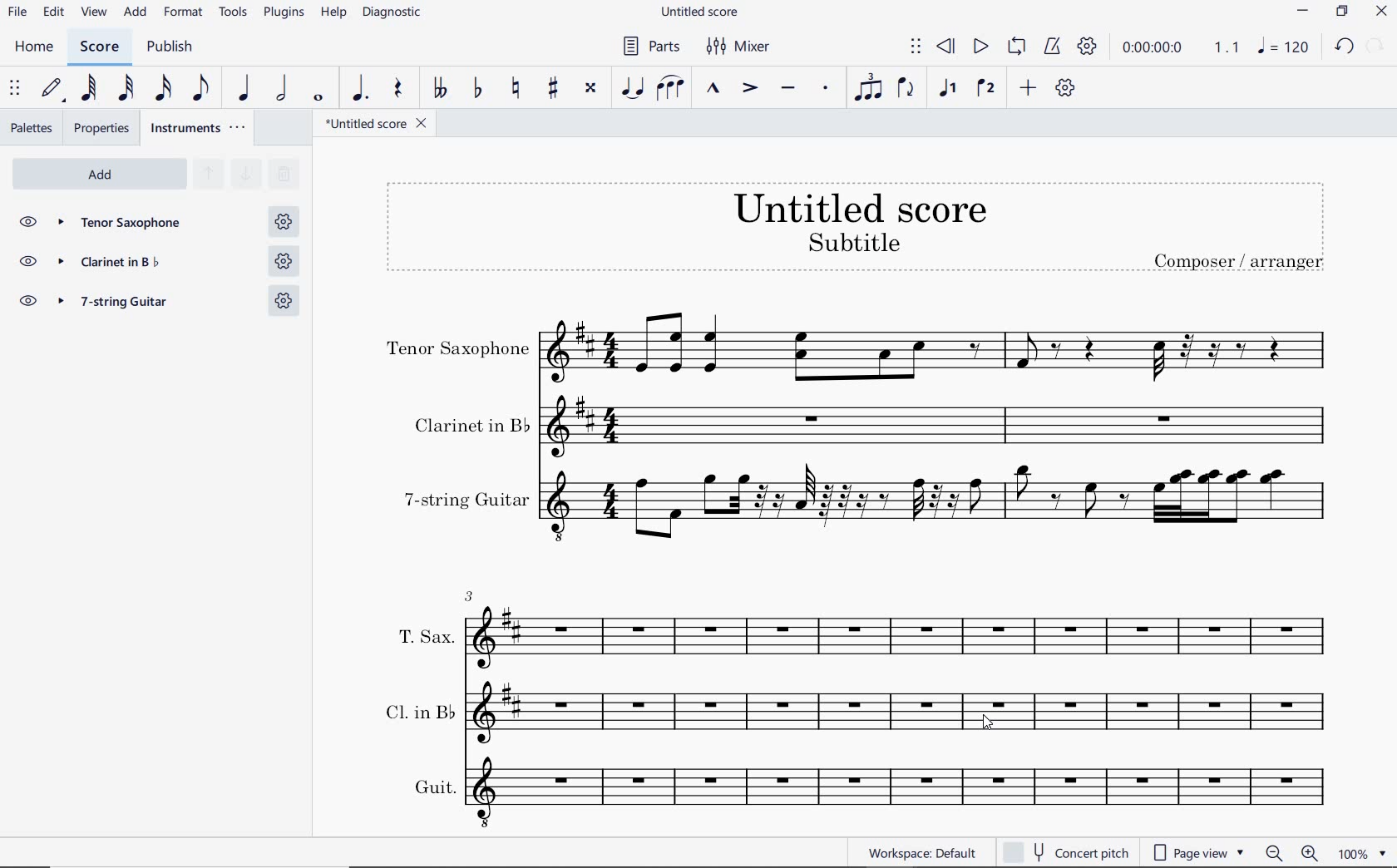  What do you see at coordinates (100, 175) in the screenshot?
I see `add instrument` at bounding box center [100, 175].